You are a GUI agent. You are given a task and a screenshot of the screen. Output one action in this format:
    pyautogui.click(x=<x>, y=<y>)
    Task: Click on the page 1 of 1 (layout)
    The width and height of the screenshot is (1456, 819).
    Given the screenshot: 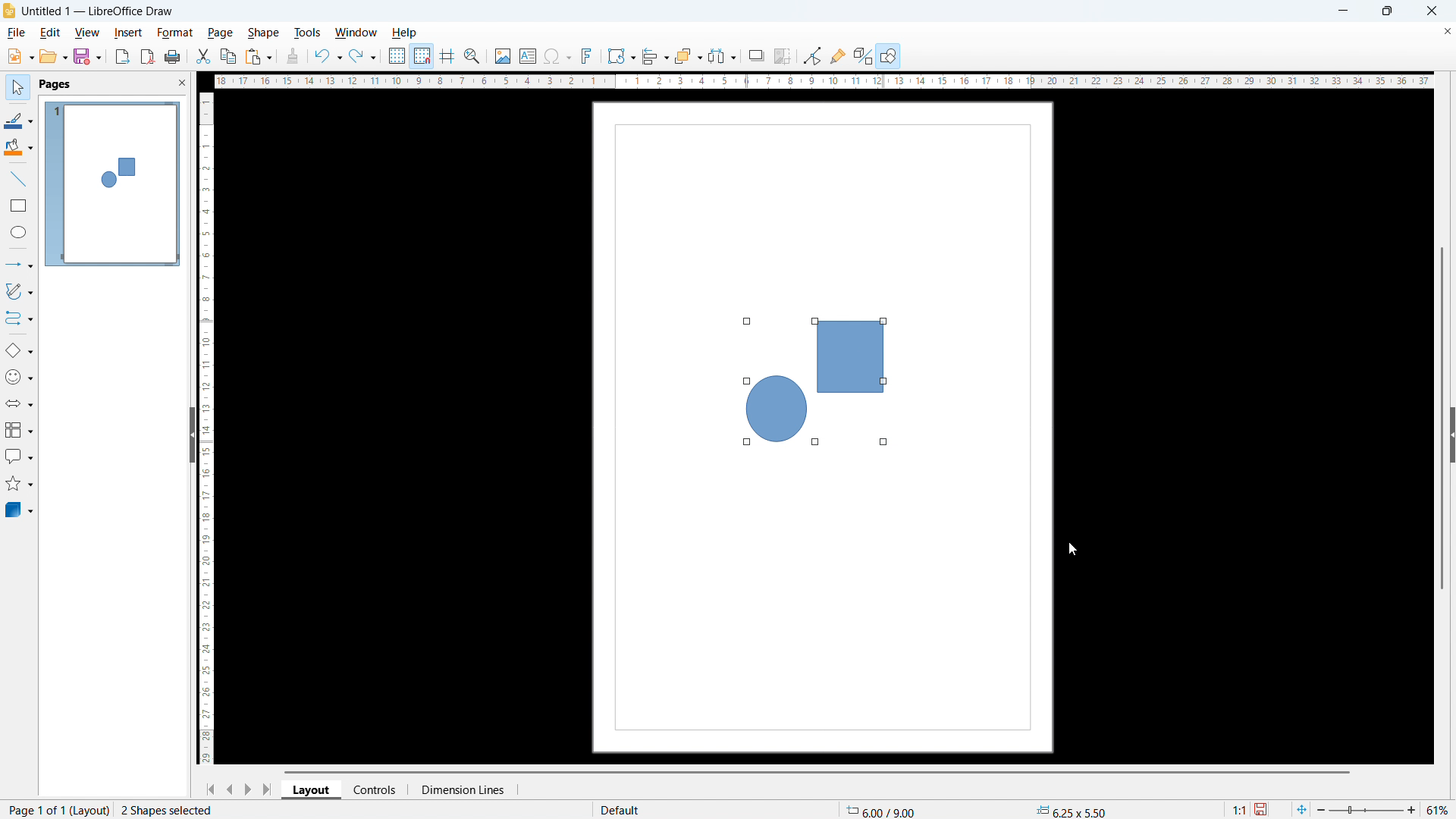 What is the action you would take?
    pyautogui.click(x=56, y=809)
    